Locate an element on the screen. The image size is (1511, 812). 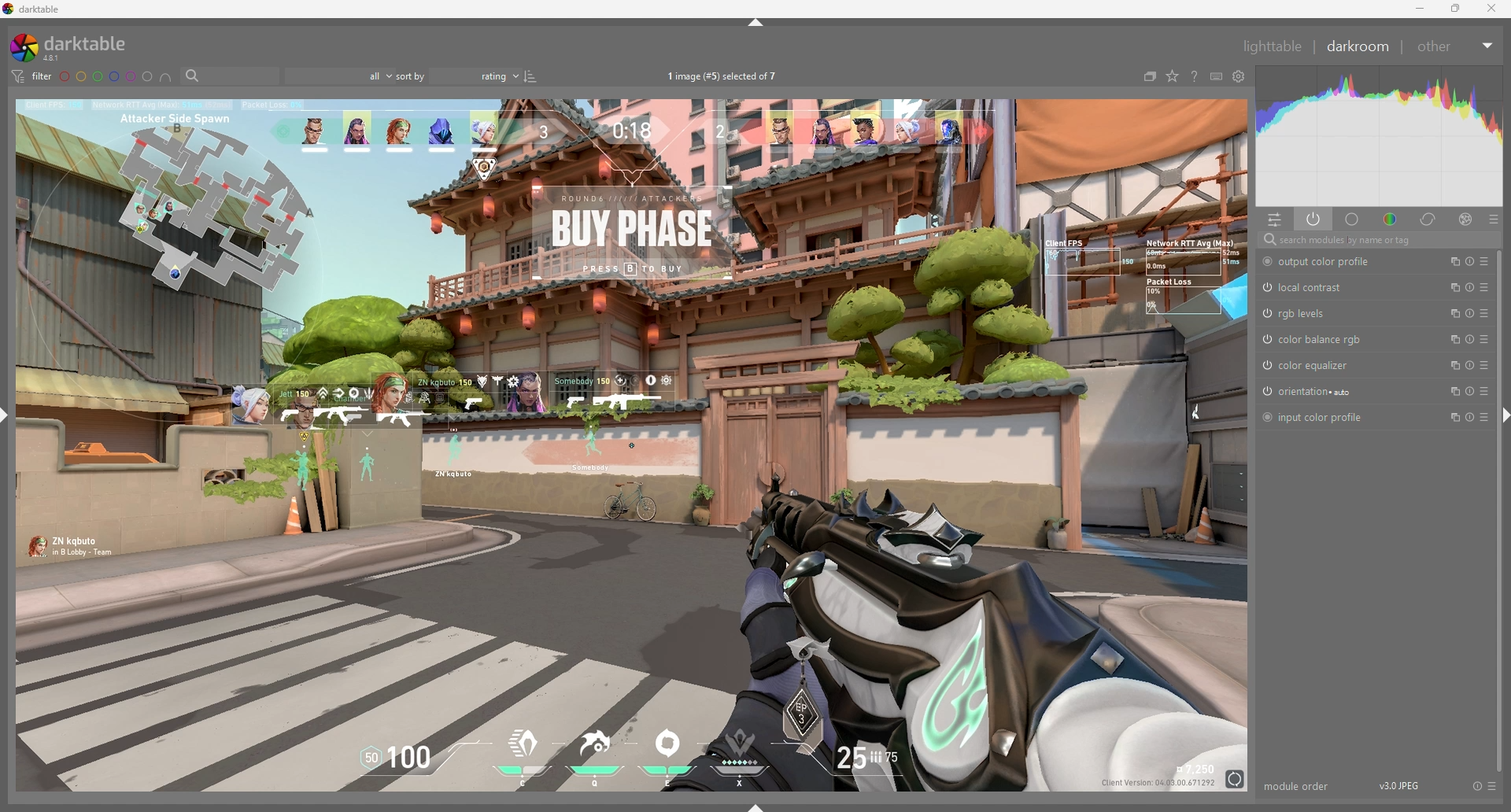
input color profile is located at coordinates (1315, 416).